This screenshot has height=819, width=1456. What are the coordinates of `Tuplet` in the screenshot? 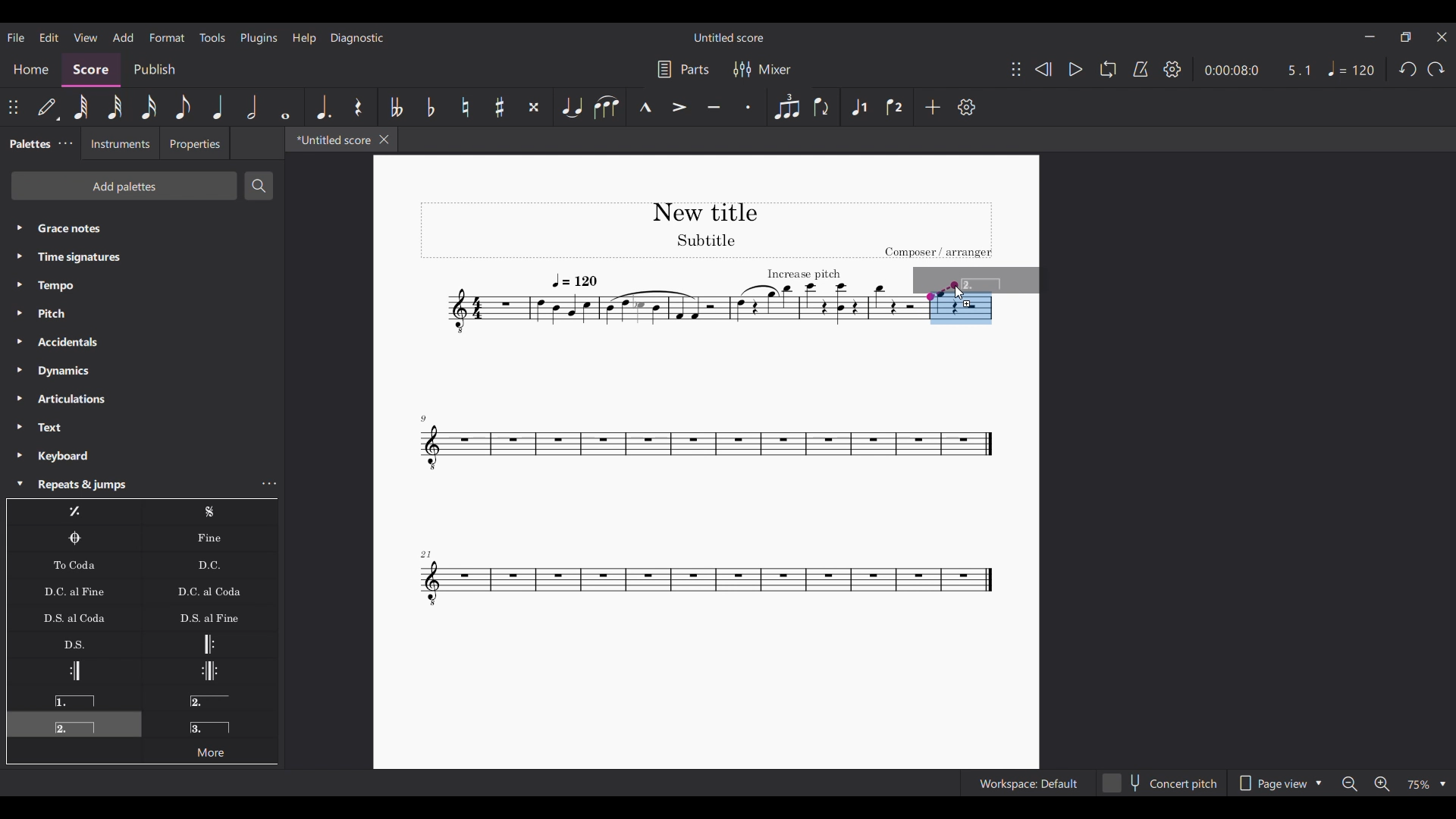 It's located at (786, 107).